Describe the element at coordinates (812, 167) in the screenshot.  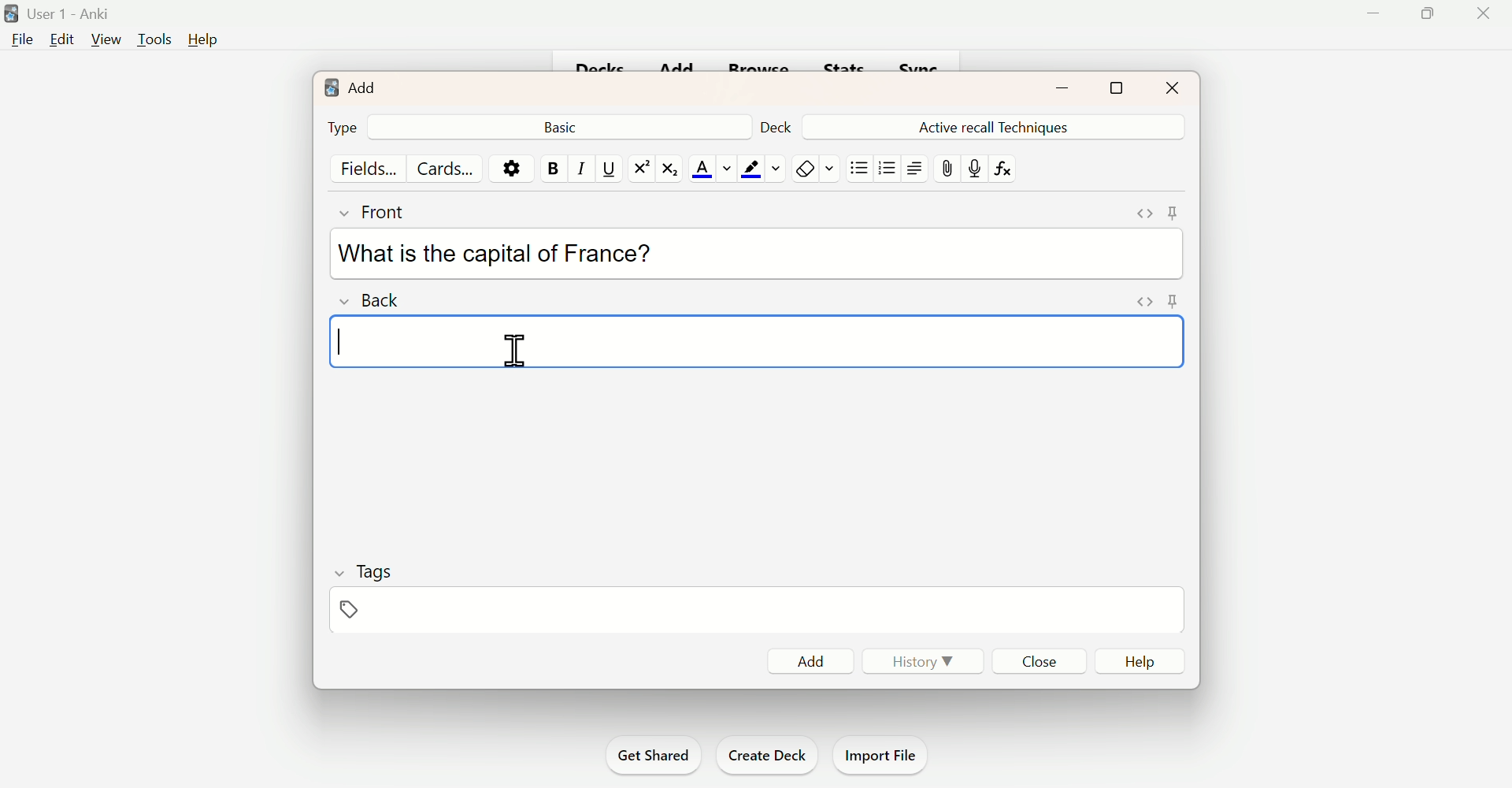
I see `Remove Formatting` at that location.